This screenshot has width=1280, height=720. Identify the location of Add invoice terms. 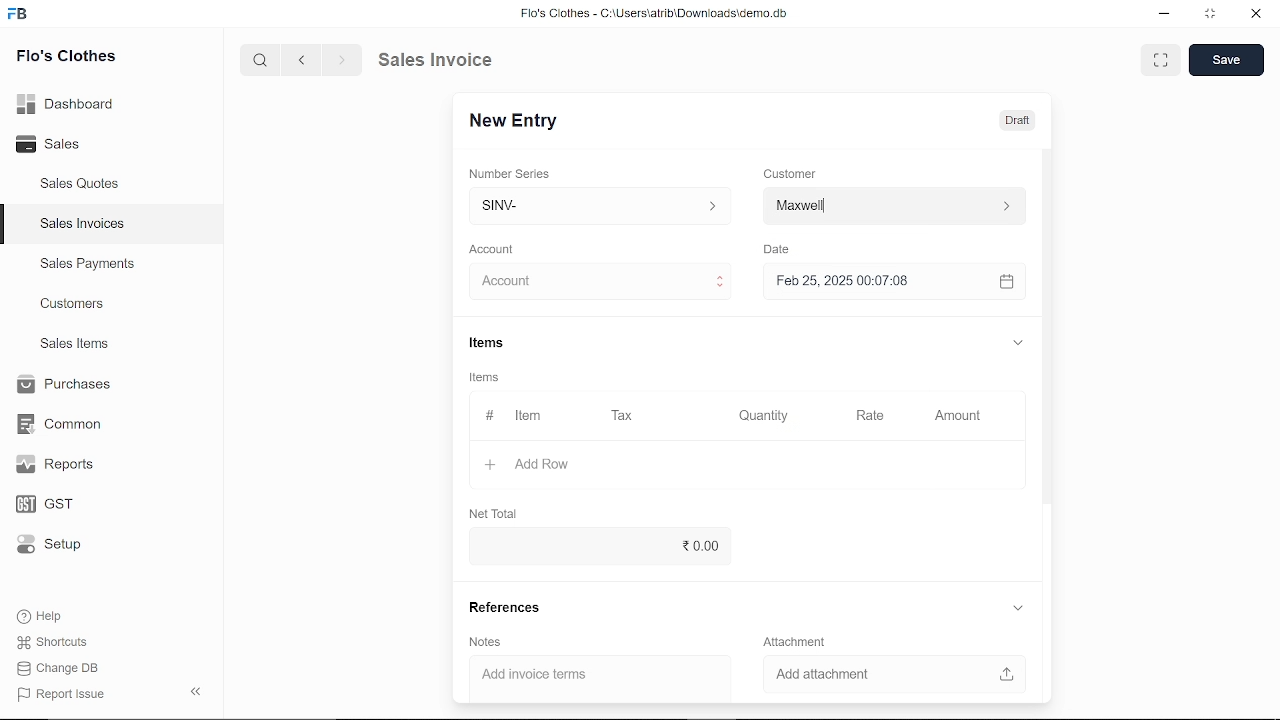
(601, 676).